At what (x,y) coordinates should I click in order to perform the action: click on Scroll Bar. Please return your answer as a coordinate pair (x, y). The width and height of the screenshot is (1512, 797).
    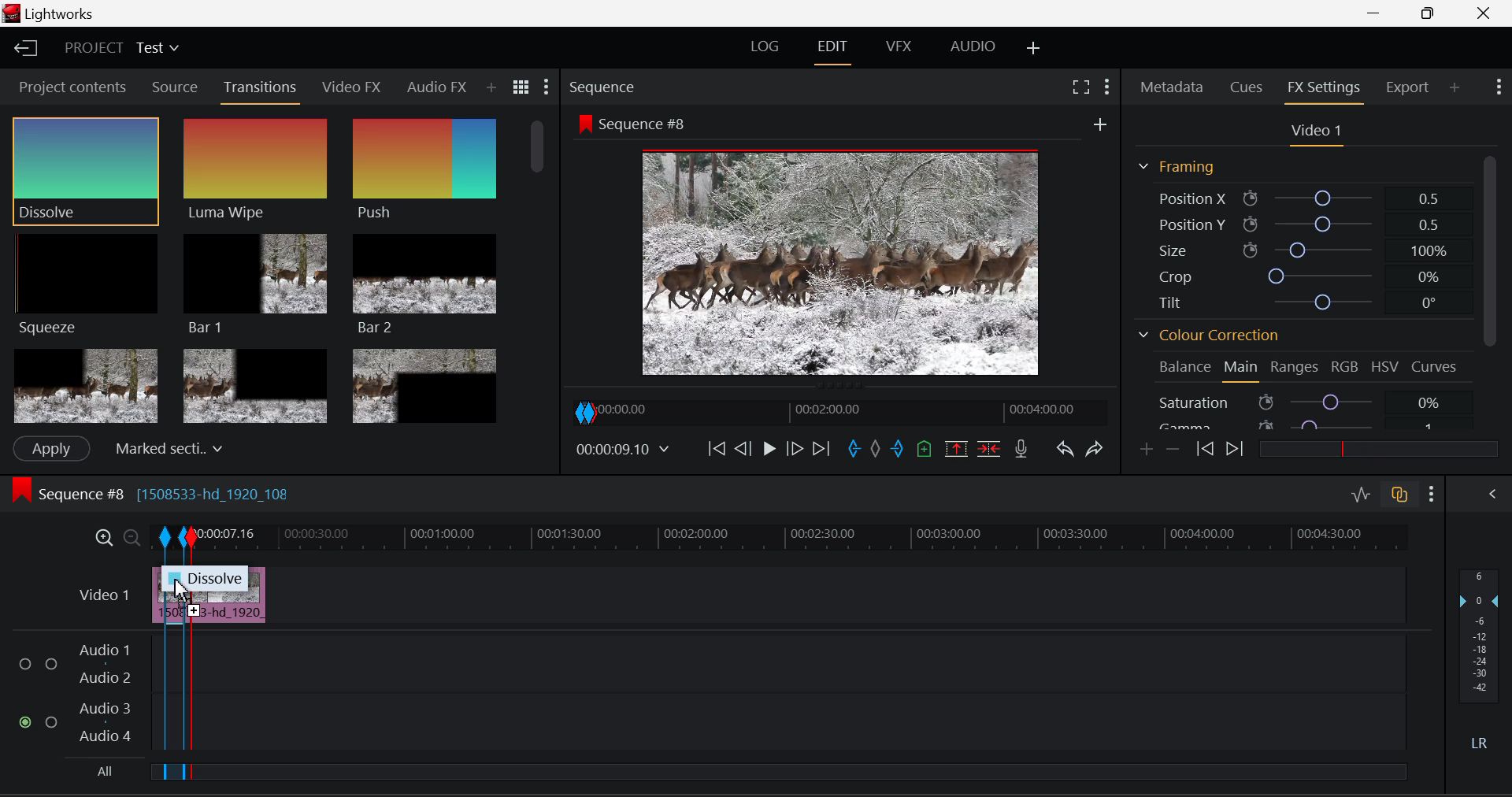
    Looking at the image, I should click on (541, 267).